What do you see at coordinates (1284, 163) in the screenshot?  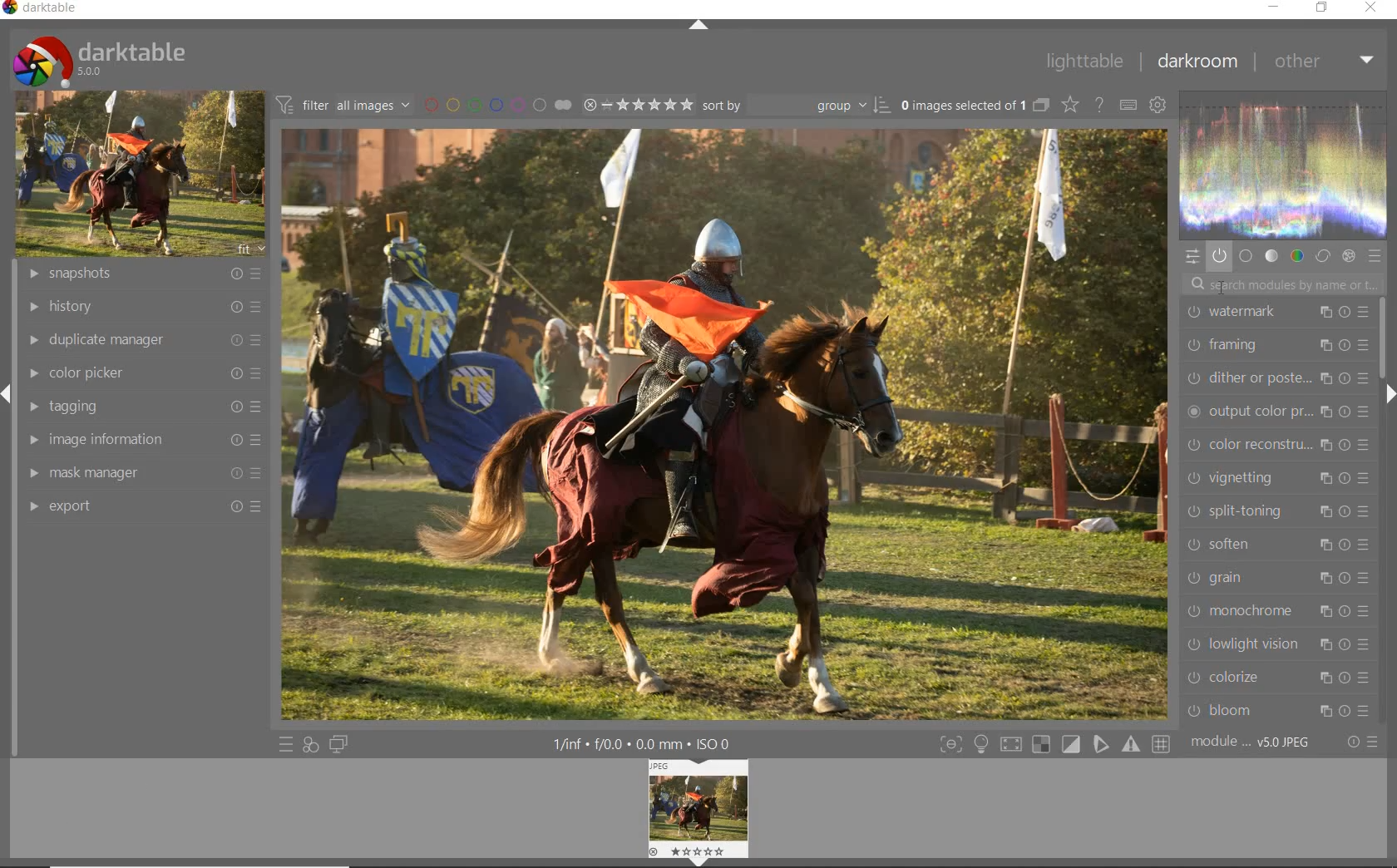 I see `waveform` at bounding box center [1284, 163].